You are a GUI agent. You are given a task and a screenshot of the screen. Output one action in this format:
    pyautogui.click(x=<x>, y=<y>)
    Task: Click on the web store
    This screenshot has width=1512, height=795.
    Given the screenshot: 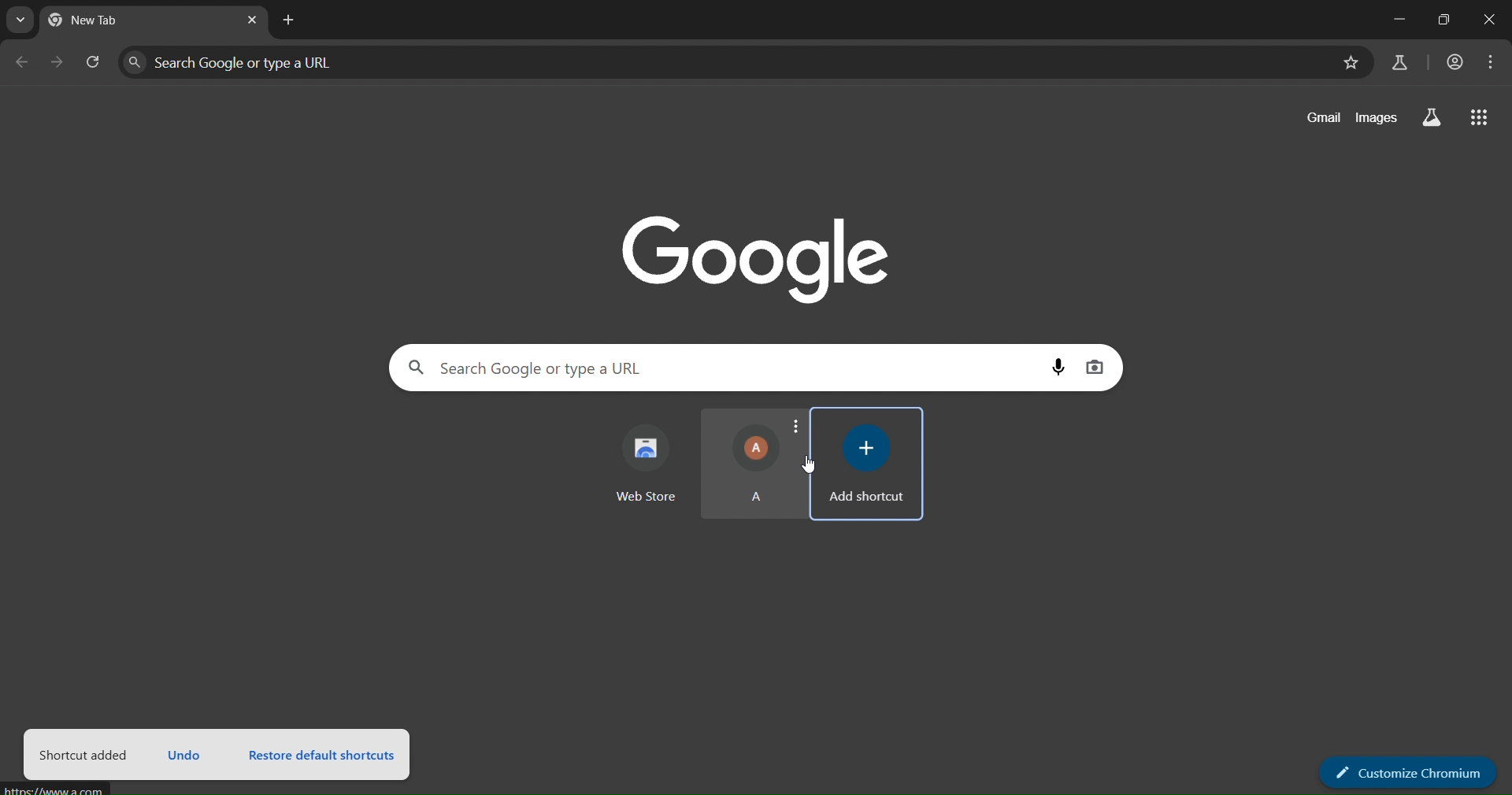 What is the action you would take?
    pyautogui.click(x=650, y=461)
    